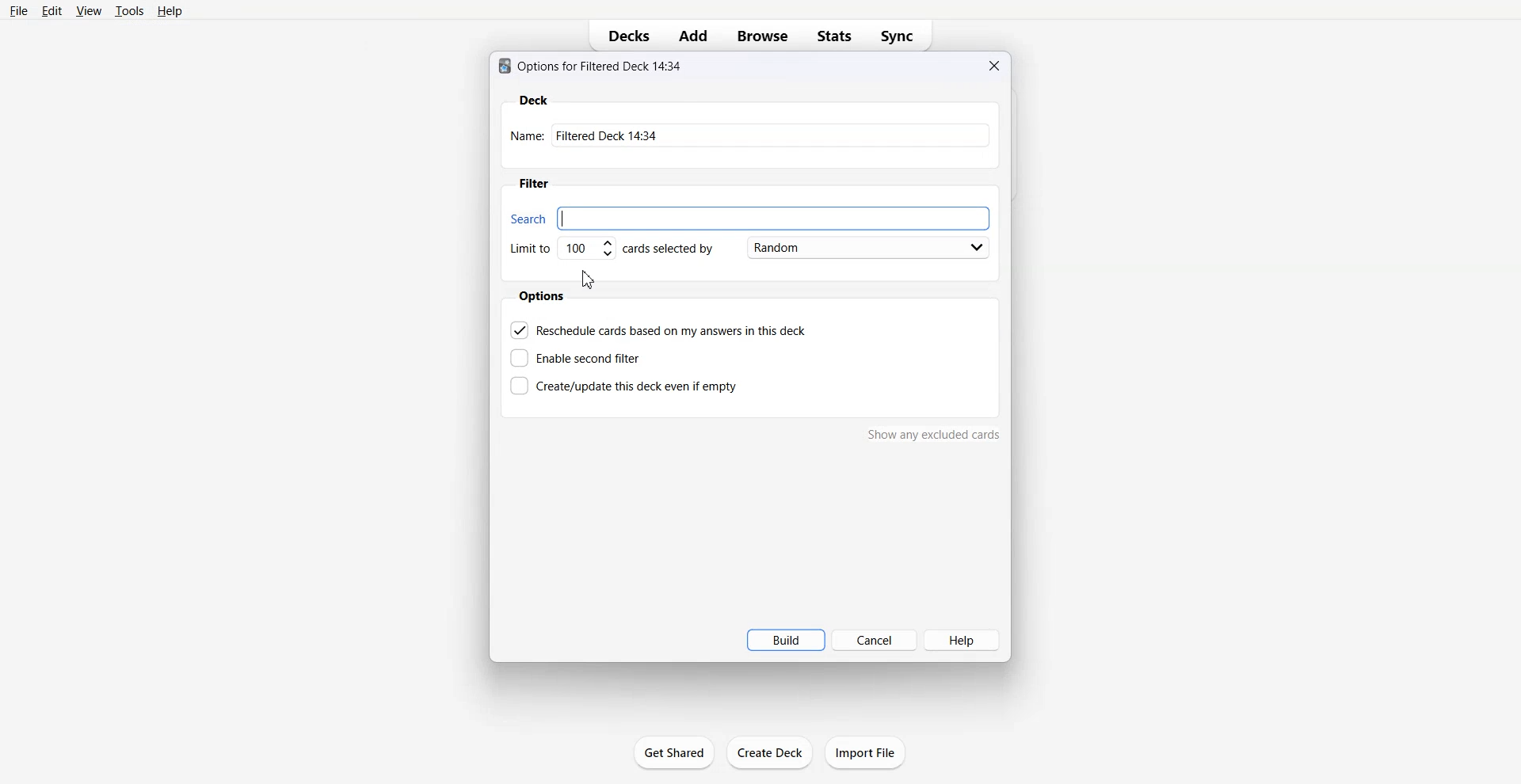 The width and height of the screenshot is (1521, 784). Describe the element at coordinates (623, 385) in the screenshot. I see `update this deck even if empty` at that location.